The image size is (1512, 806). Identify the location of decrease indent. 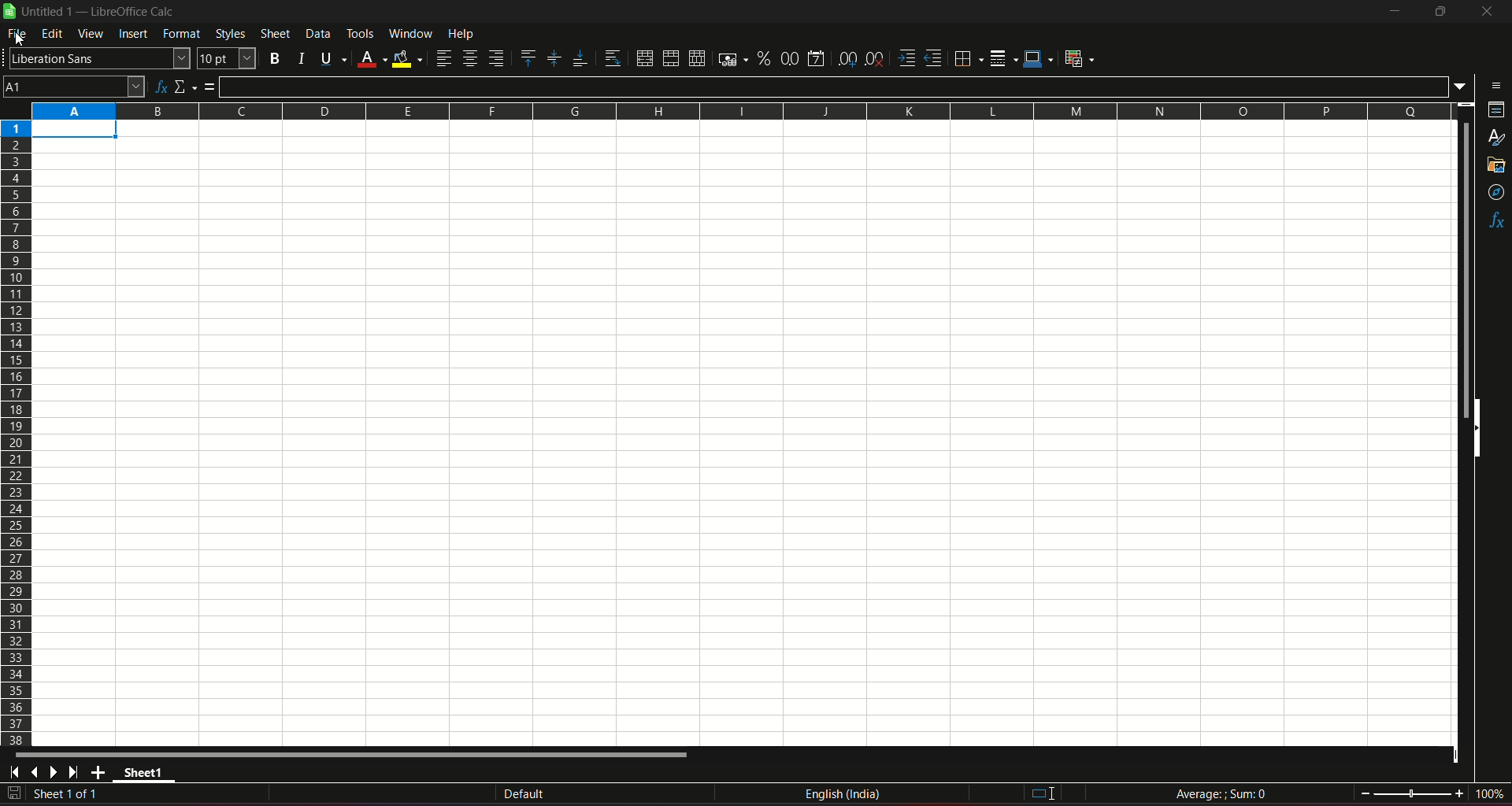
(934, 59).